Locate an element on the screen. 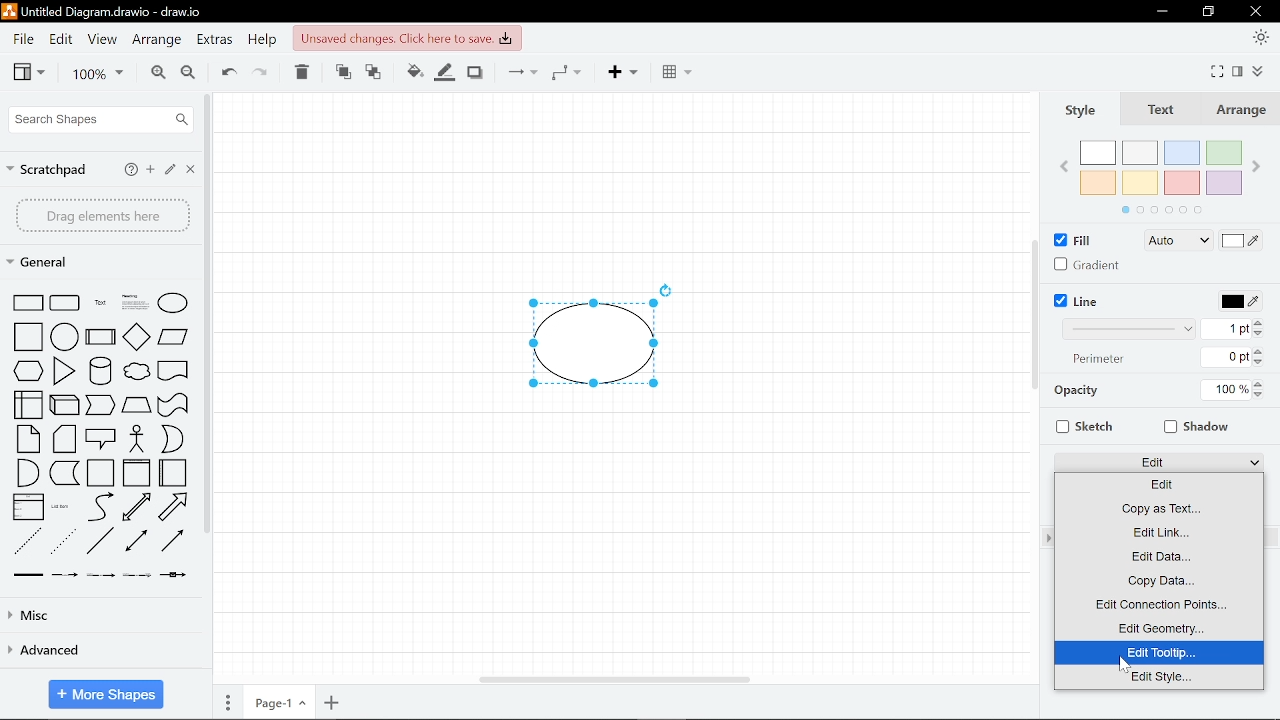  arrow is located at coordinates (175, 507).